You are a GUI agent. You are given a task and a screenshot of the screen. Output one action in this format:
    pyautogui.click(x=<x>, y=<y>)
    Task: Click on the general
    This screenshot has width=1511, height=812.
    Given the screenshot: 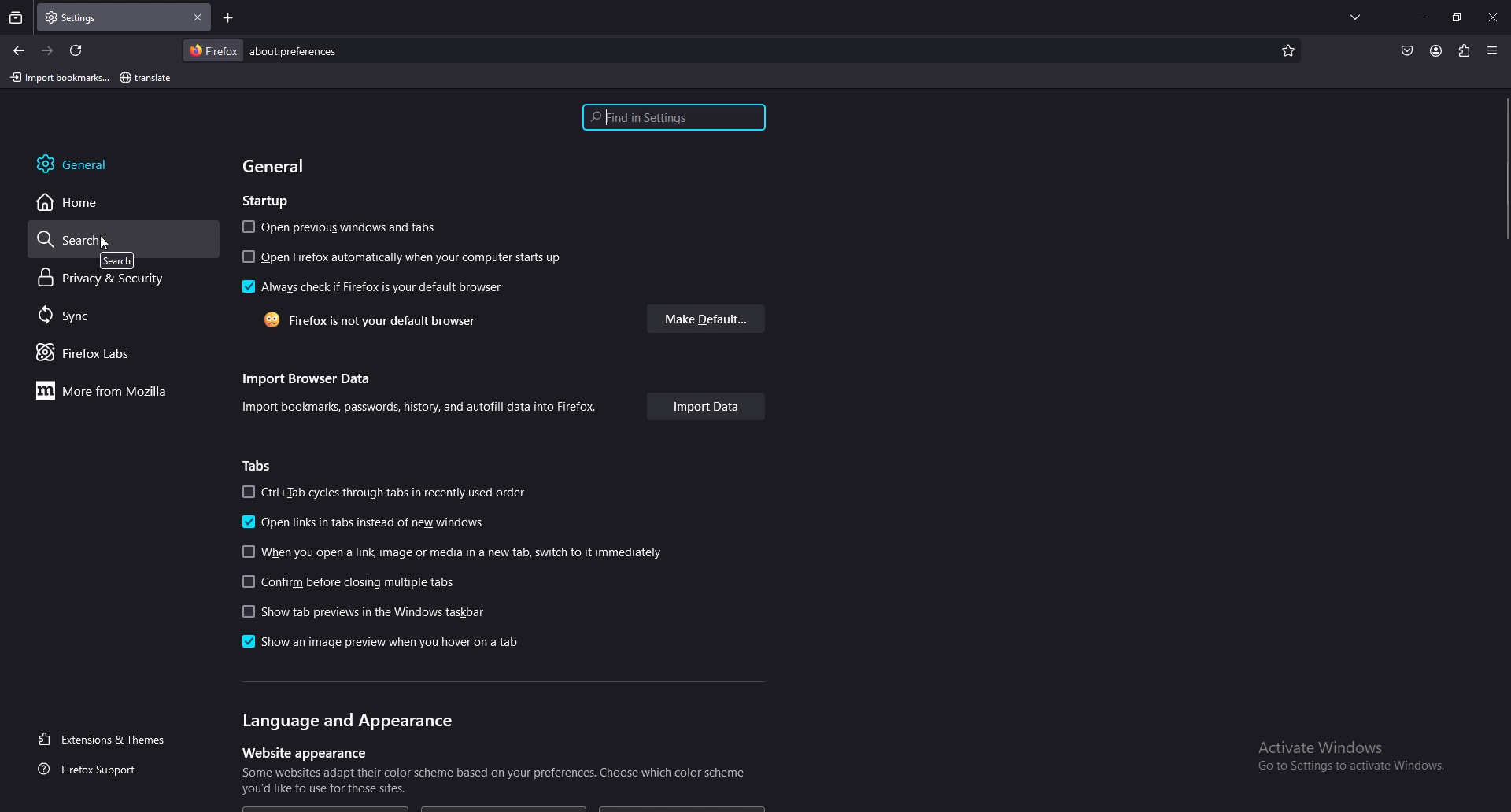 What is the action you would take?
    pyautogui.click(x=279, y=165)
    